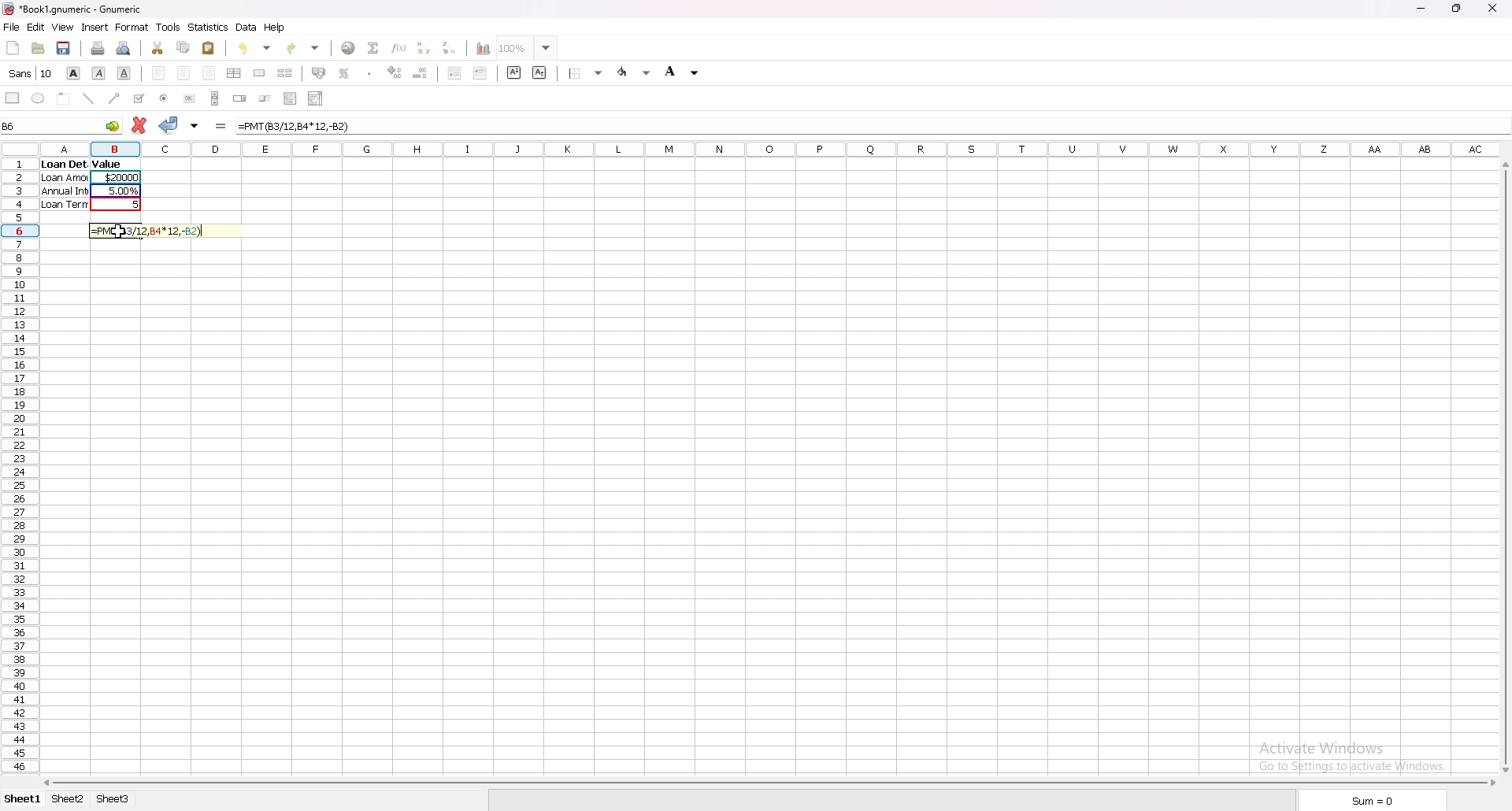 The image size is (1512, 811). I want to click on paste, so click(208, 48).